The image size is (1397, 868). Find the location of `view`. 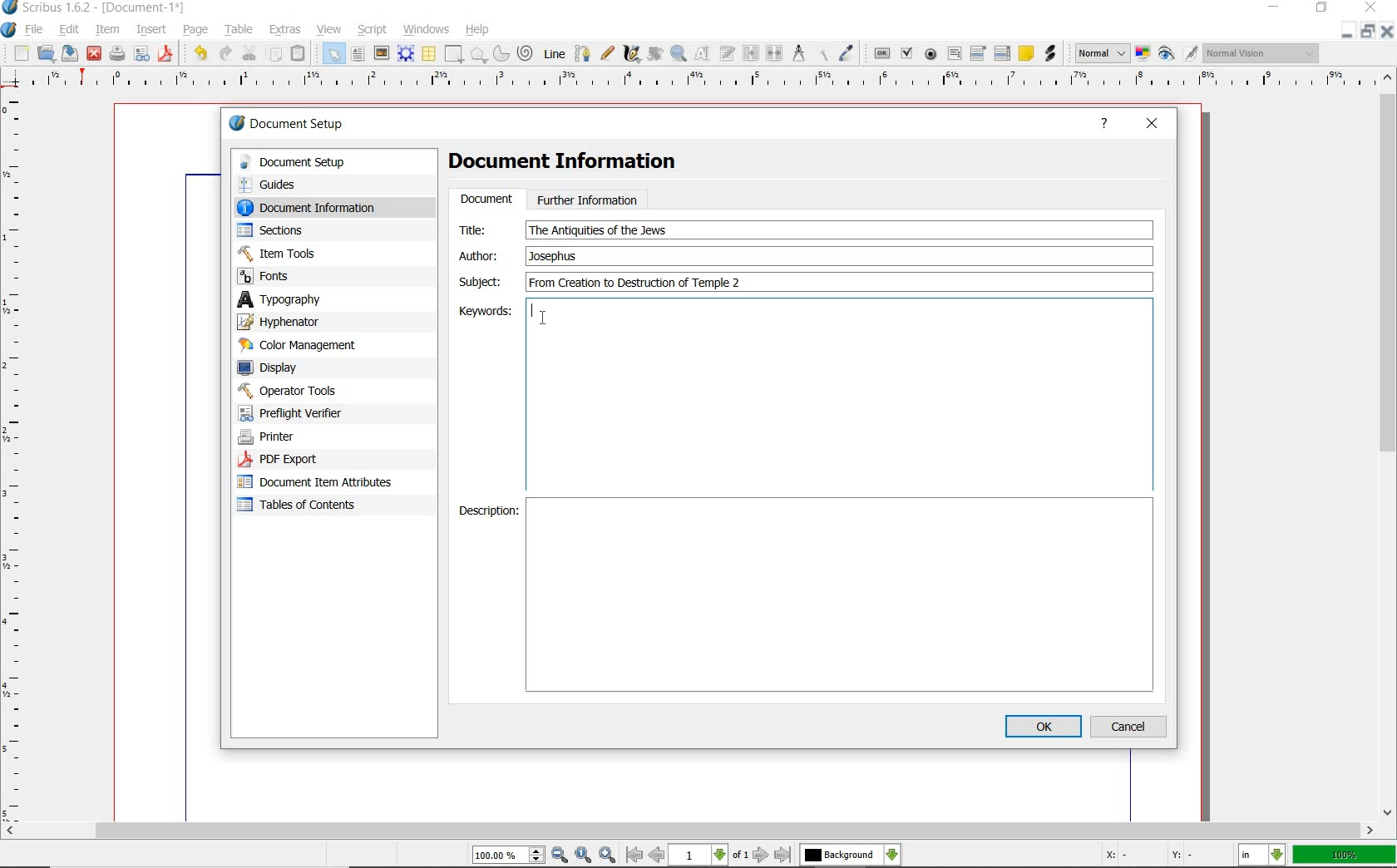

view is located at coordinates (328, 29).